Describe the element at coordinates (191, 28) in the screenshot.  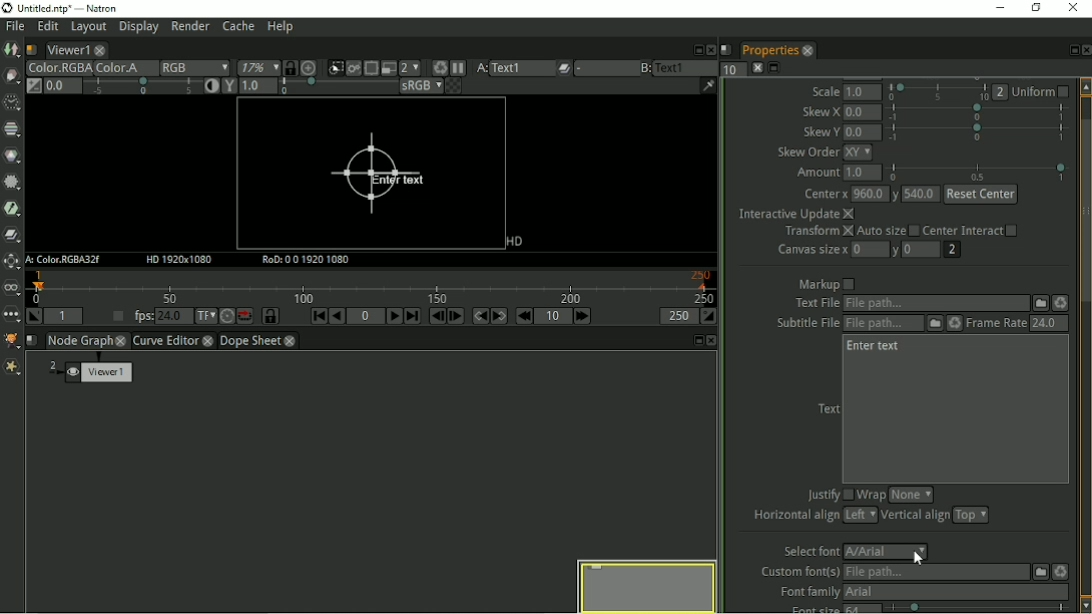
I see `Render` at that location.